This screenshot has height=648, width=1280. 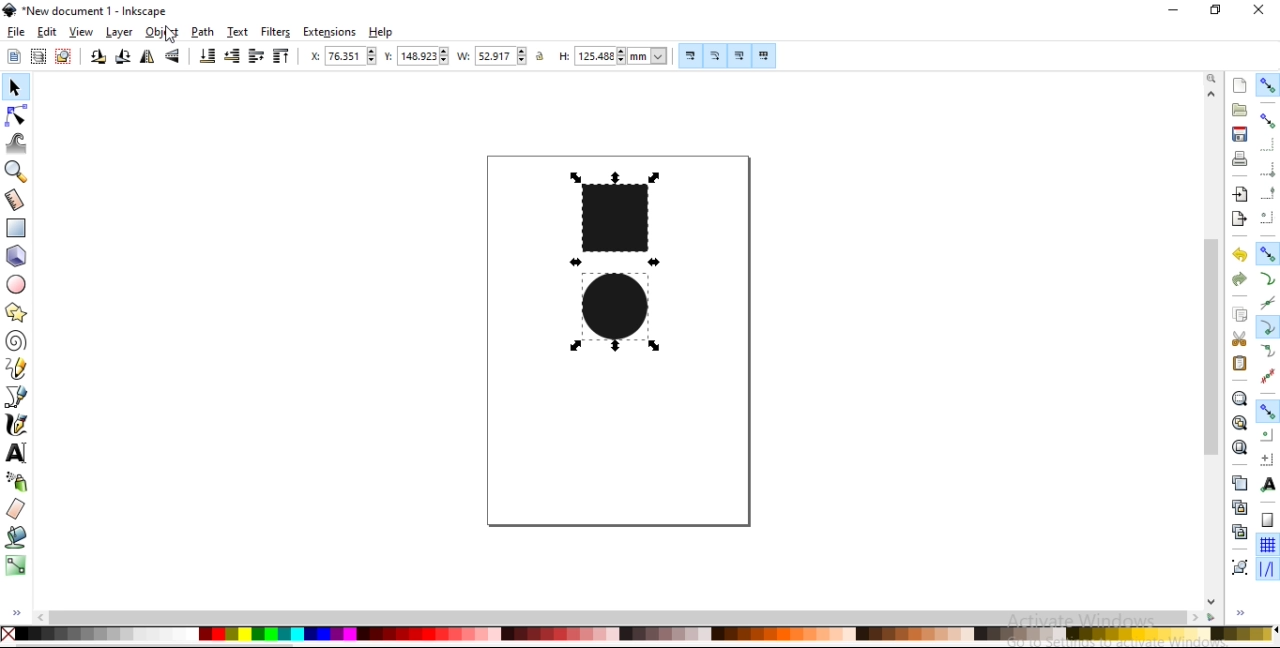 What do you see at coordinates (1239, 399) in the screenshot?
I see `zoom to fit selection` at bounding box center [1239, 399].